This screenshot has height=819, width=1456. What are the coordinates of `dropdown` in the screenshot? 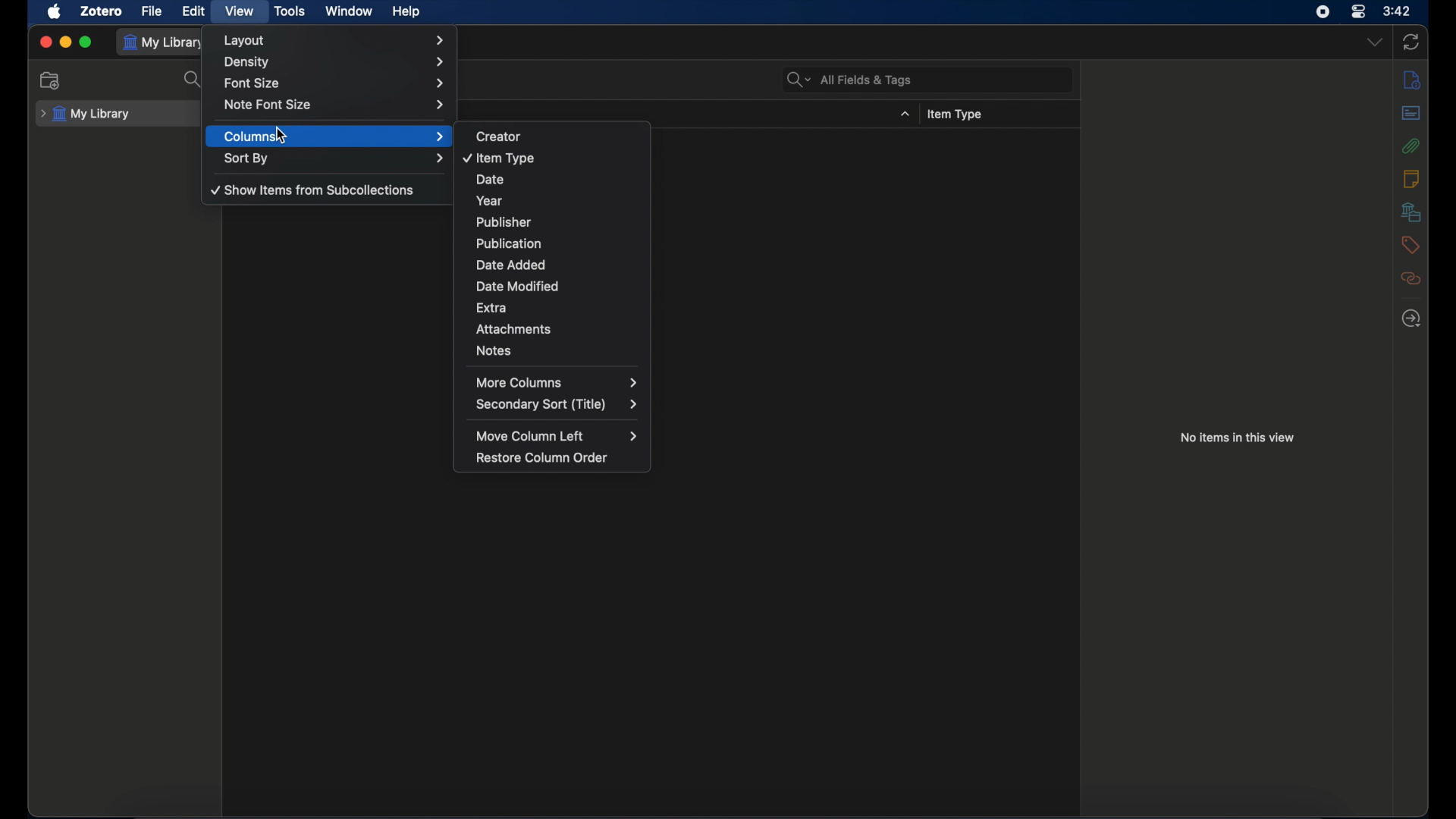 It's located at (1375, 42).